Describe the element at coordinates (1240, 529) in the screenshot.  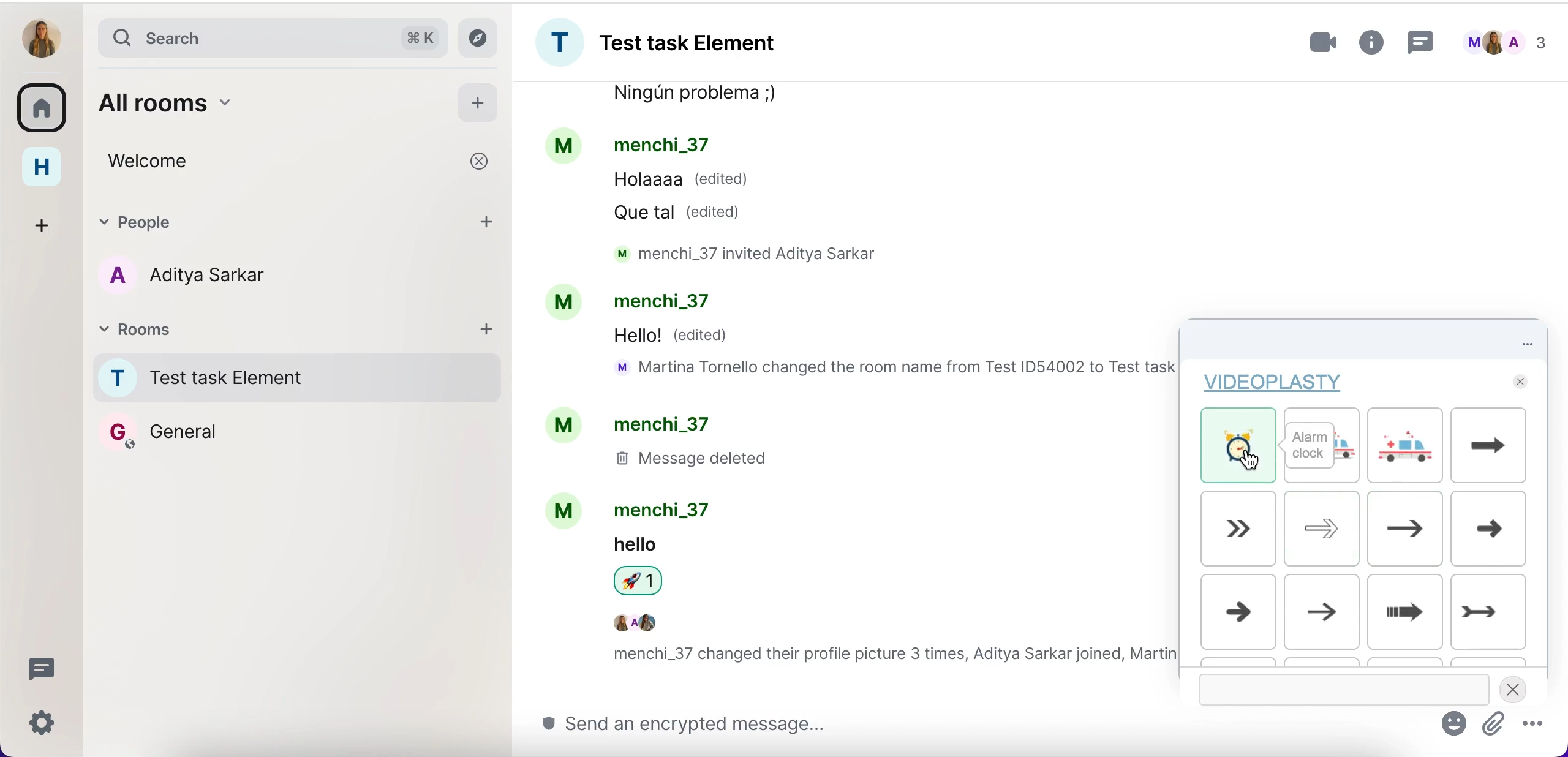
I see `gif5` at that location.